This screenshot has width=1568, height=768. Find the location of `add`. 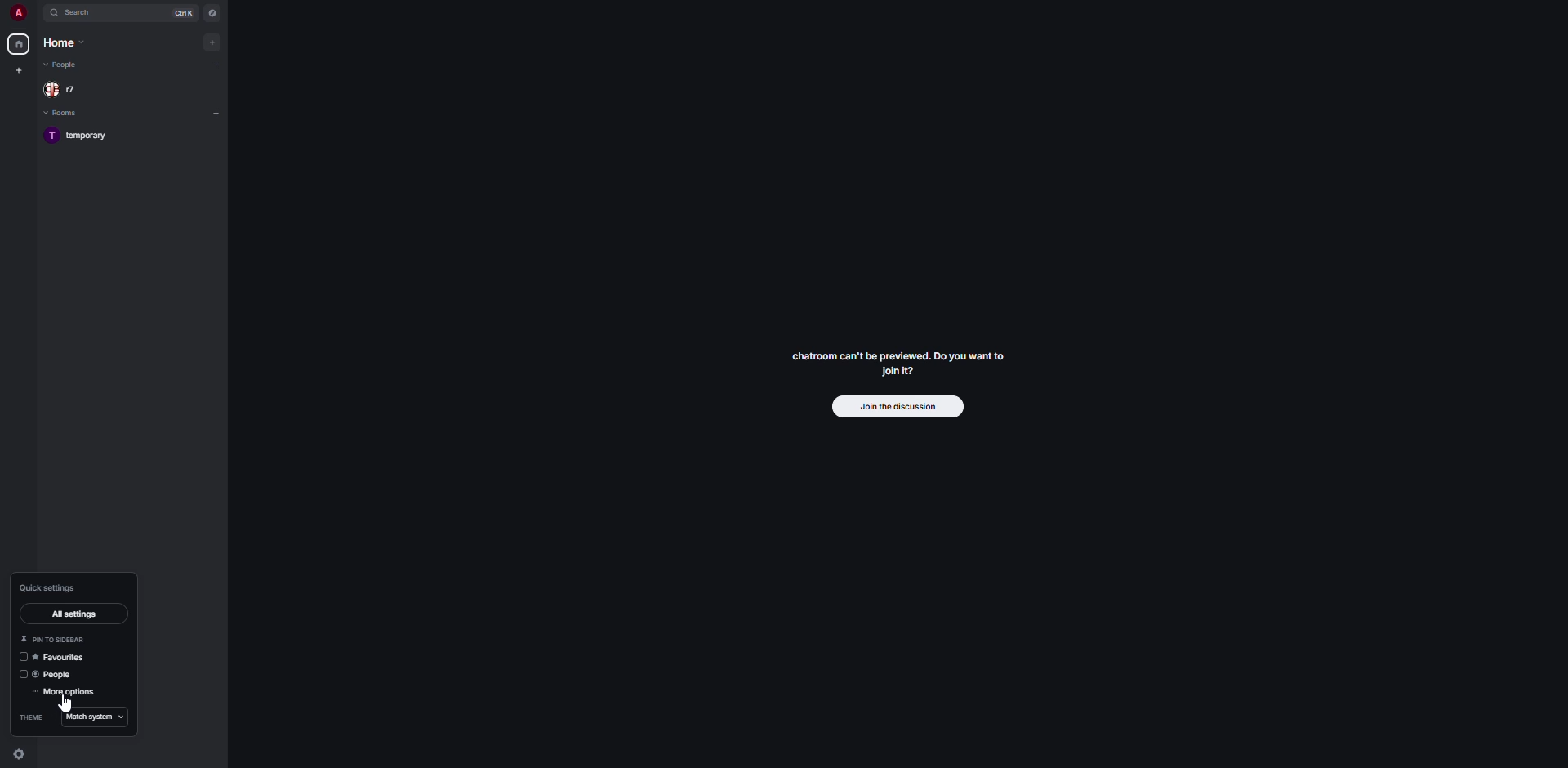

add is located at coordinates (212, 42).